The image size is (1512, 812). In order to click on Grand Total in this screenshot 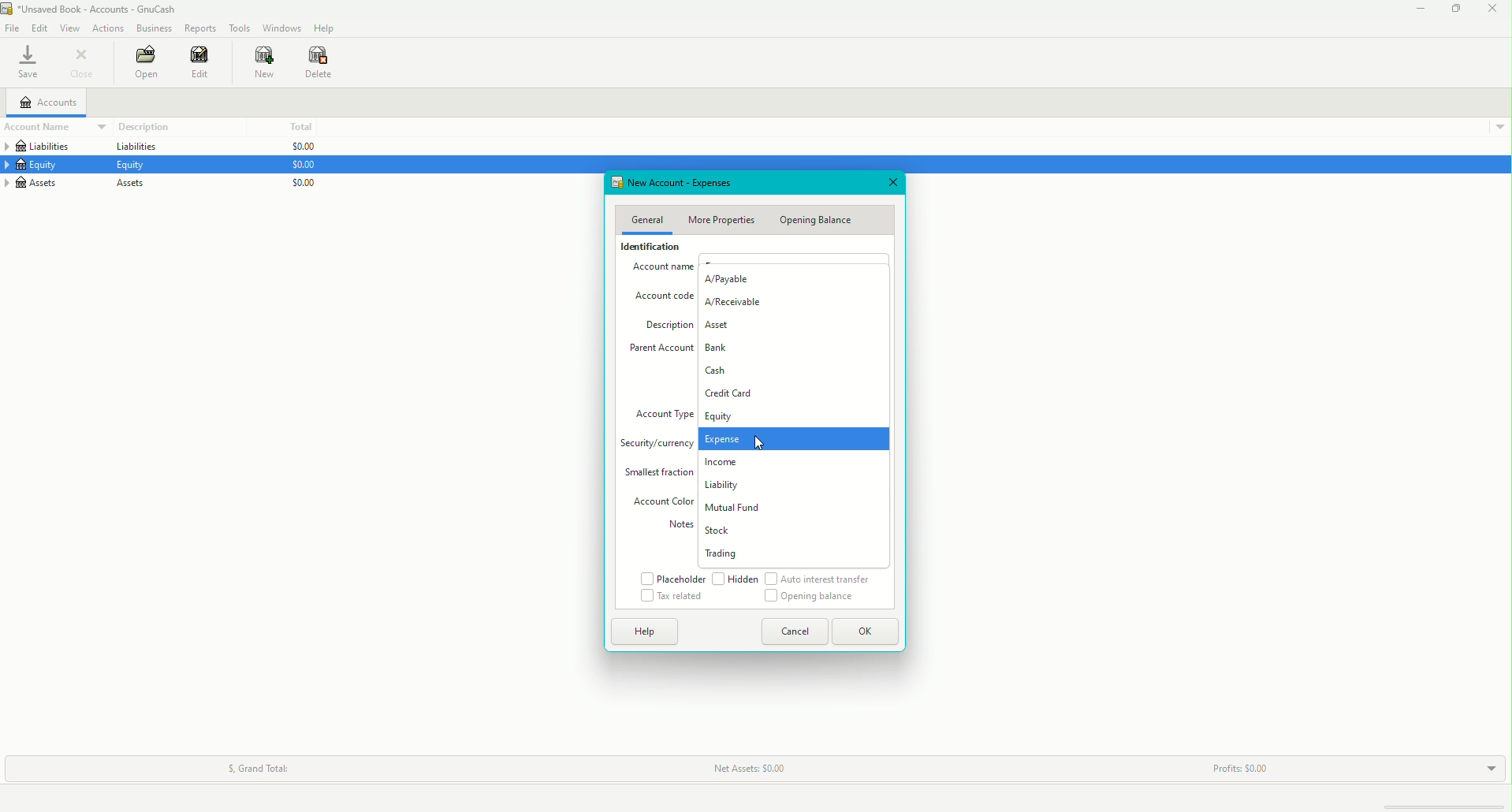, I will do `click(257, 765)`.